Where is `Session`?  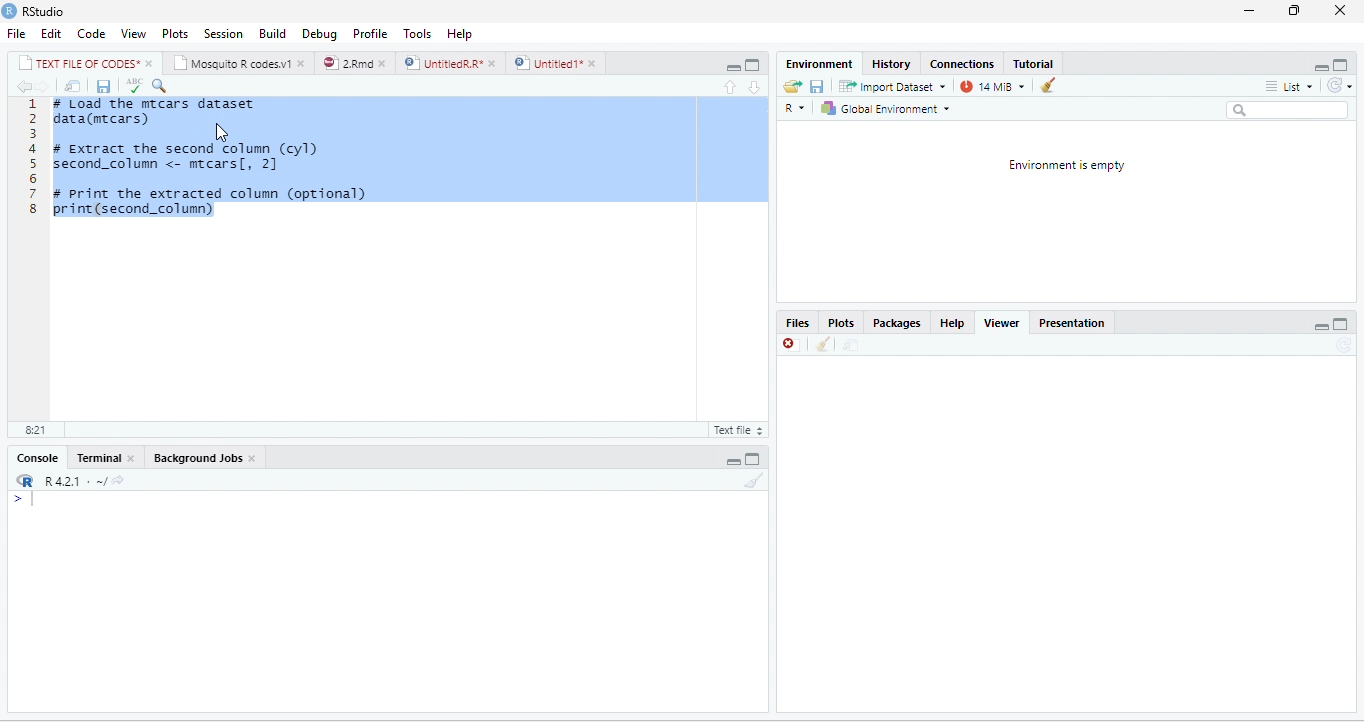 Session is located at coordinates (221, 32).